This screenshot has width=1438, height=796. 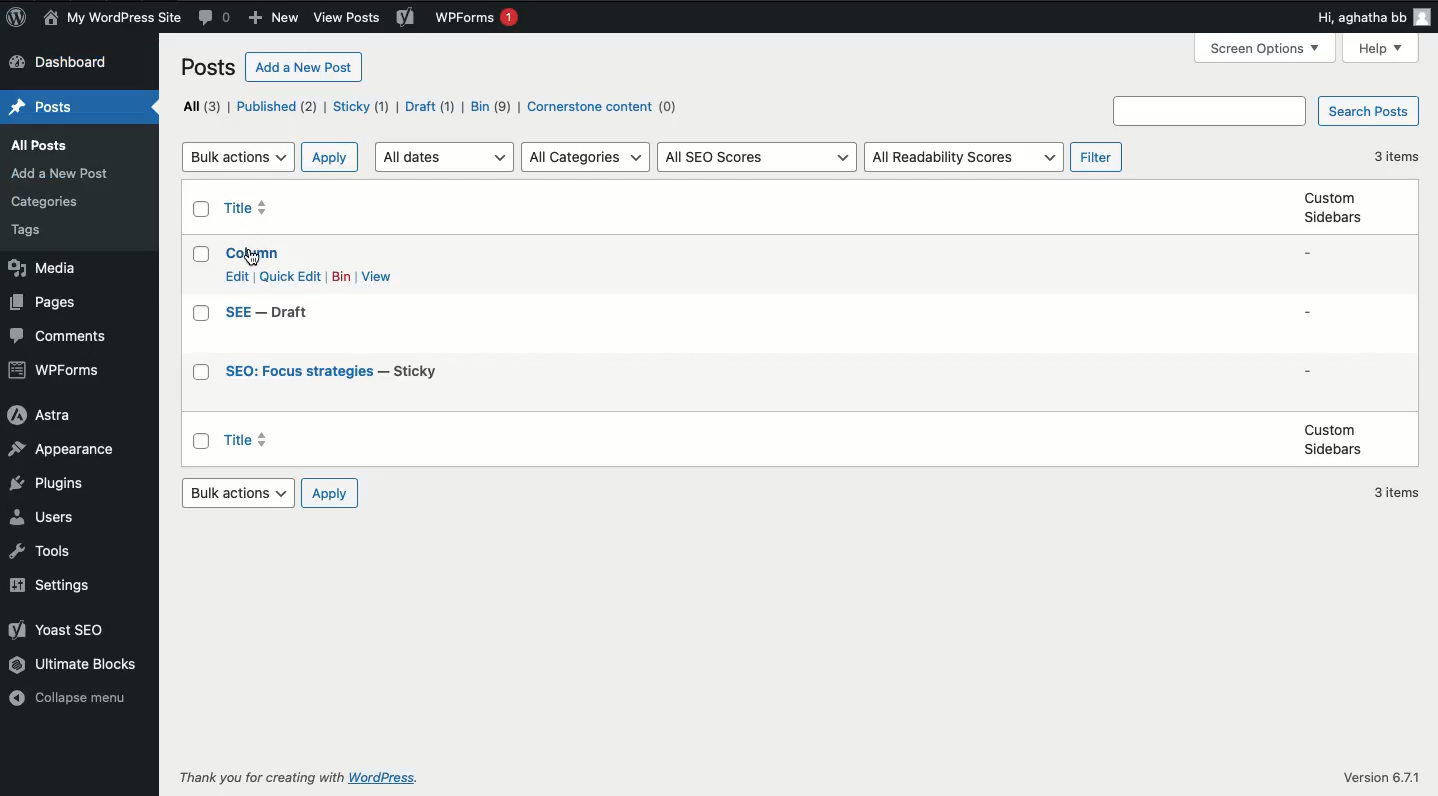 What do you see at coordinates (244, 206) in the screenshot?
I see `title` at bounding box center [244, 206].